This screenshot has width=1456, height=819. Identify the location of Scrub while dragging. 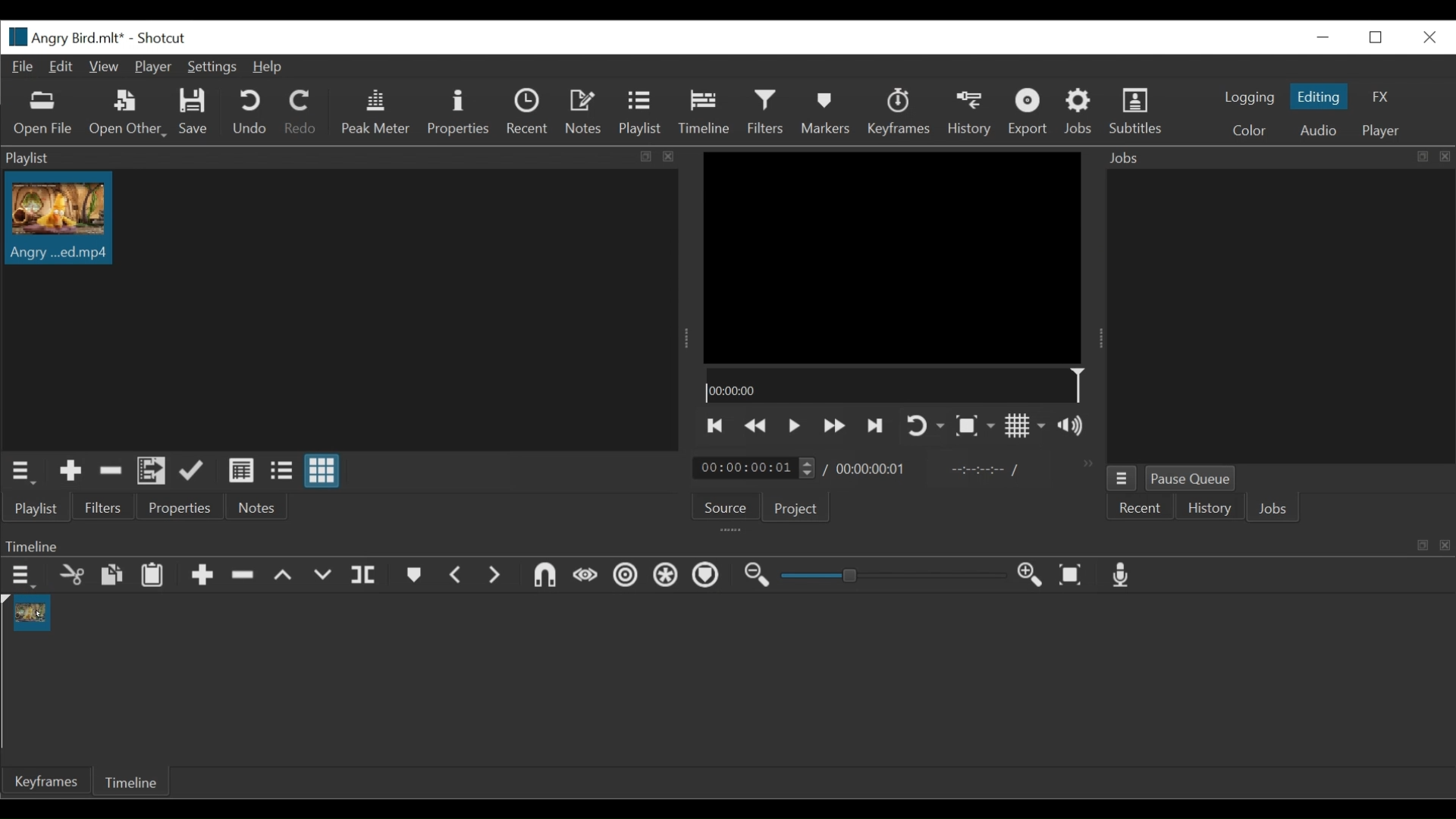
(585, 576).